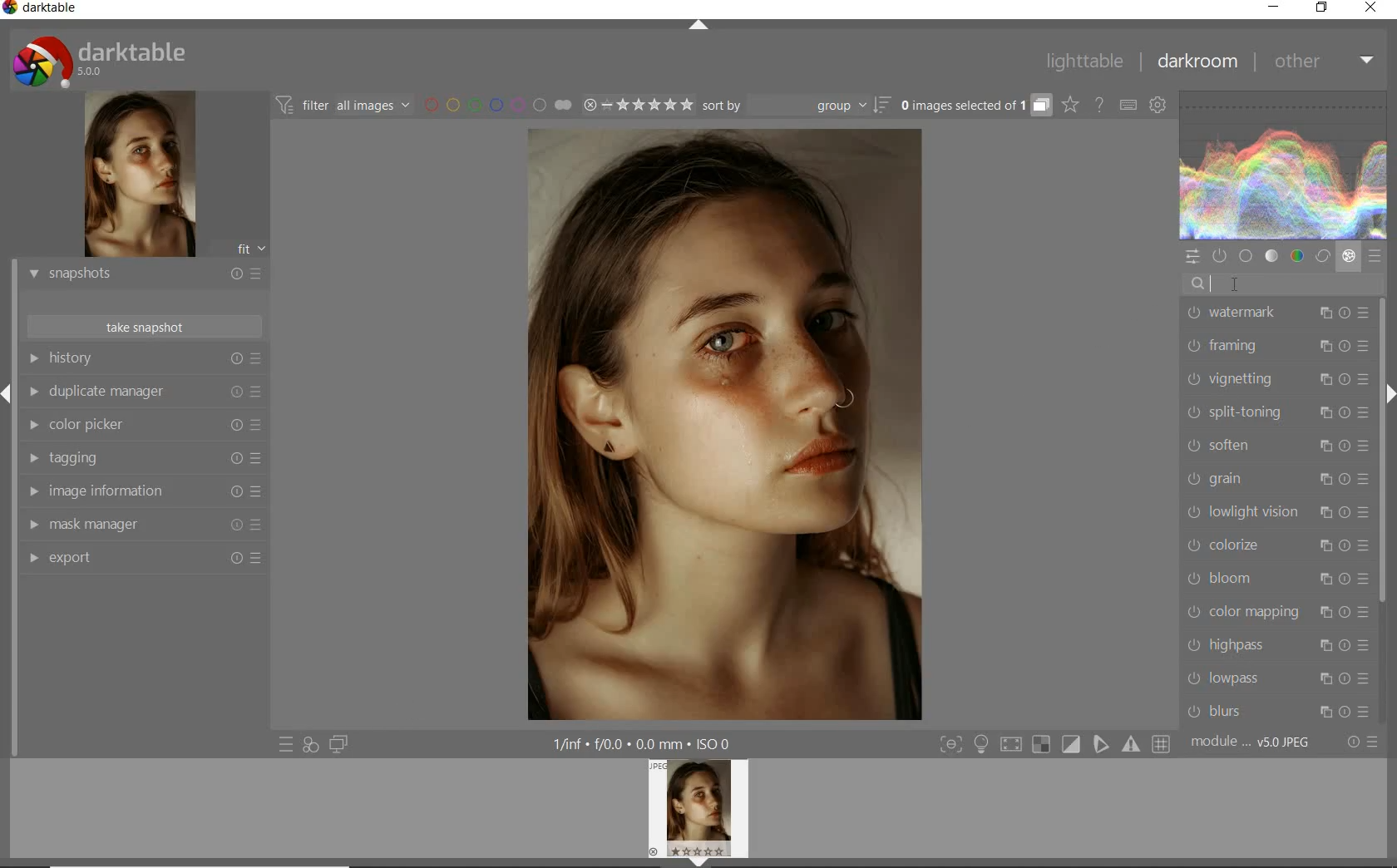  Describe the element at coordinates (795, 106) in the screenshot. I see `sort` at that location.